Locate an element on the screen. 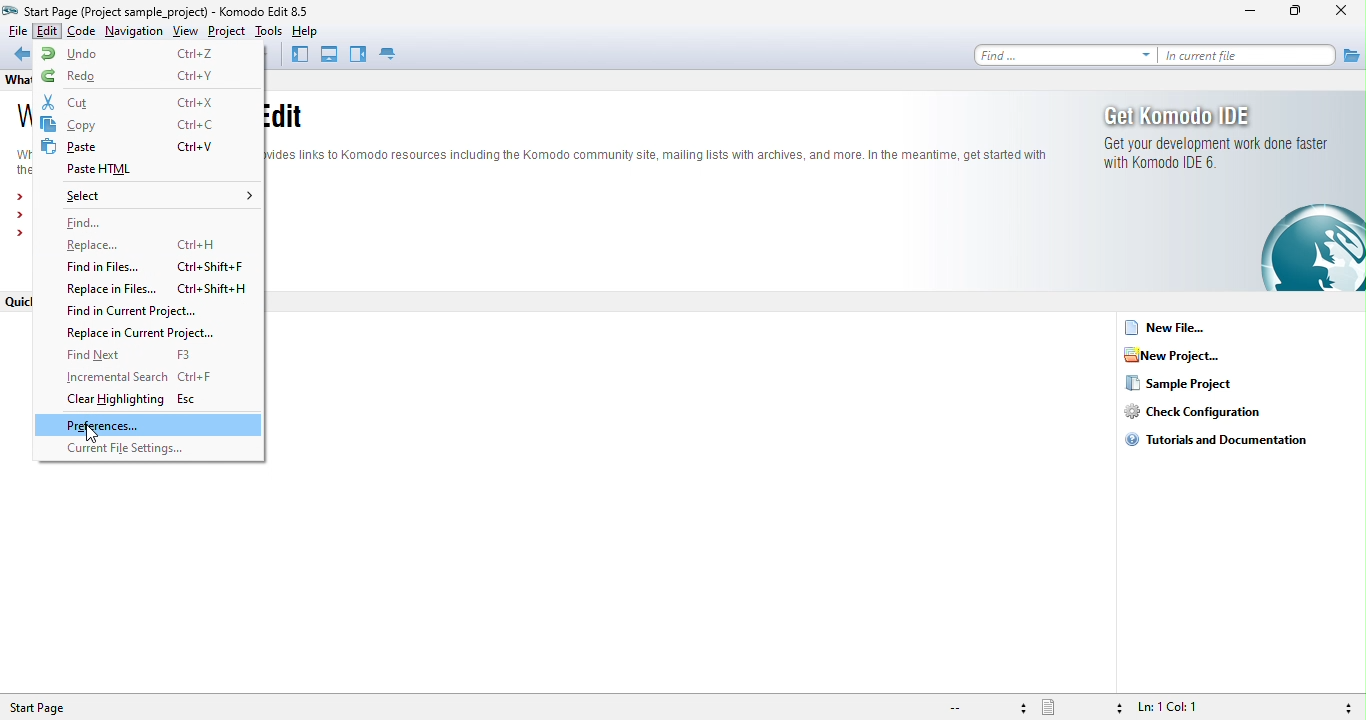  logo is located at coordinates (1311, 250).